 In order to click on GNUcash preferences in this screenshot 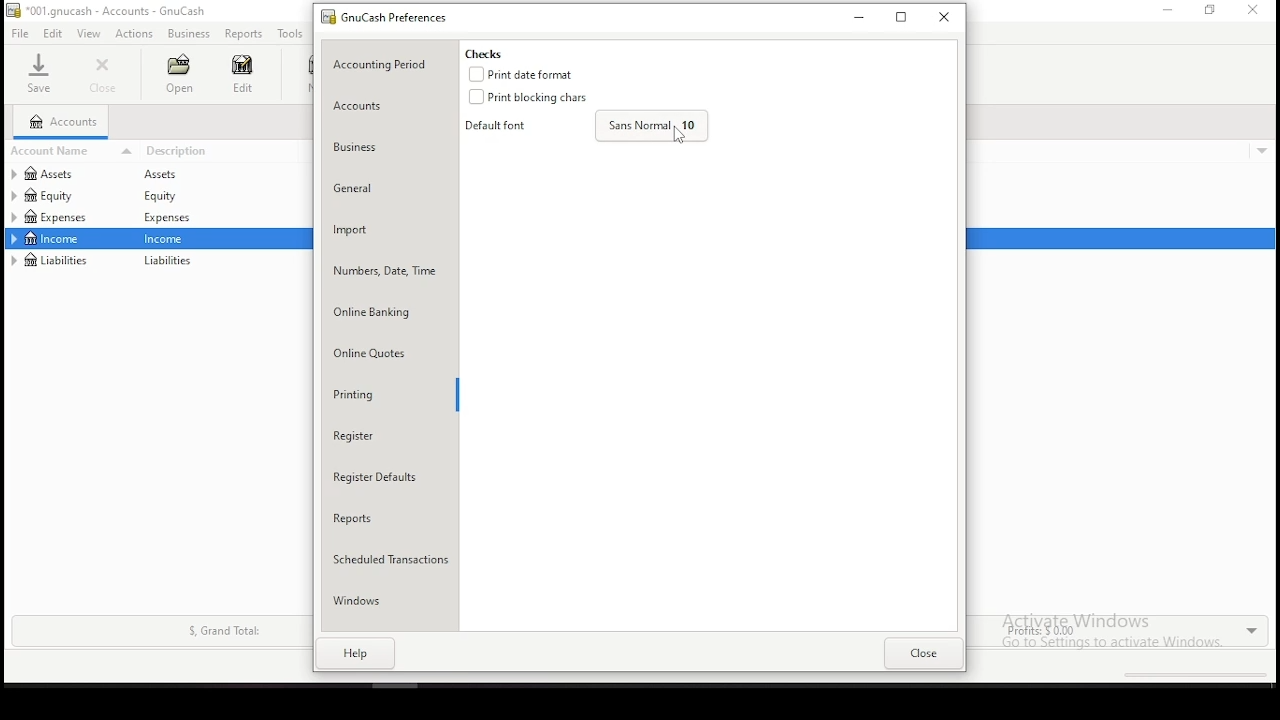, I will do `click(400, 18)`.